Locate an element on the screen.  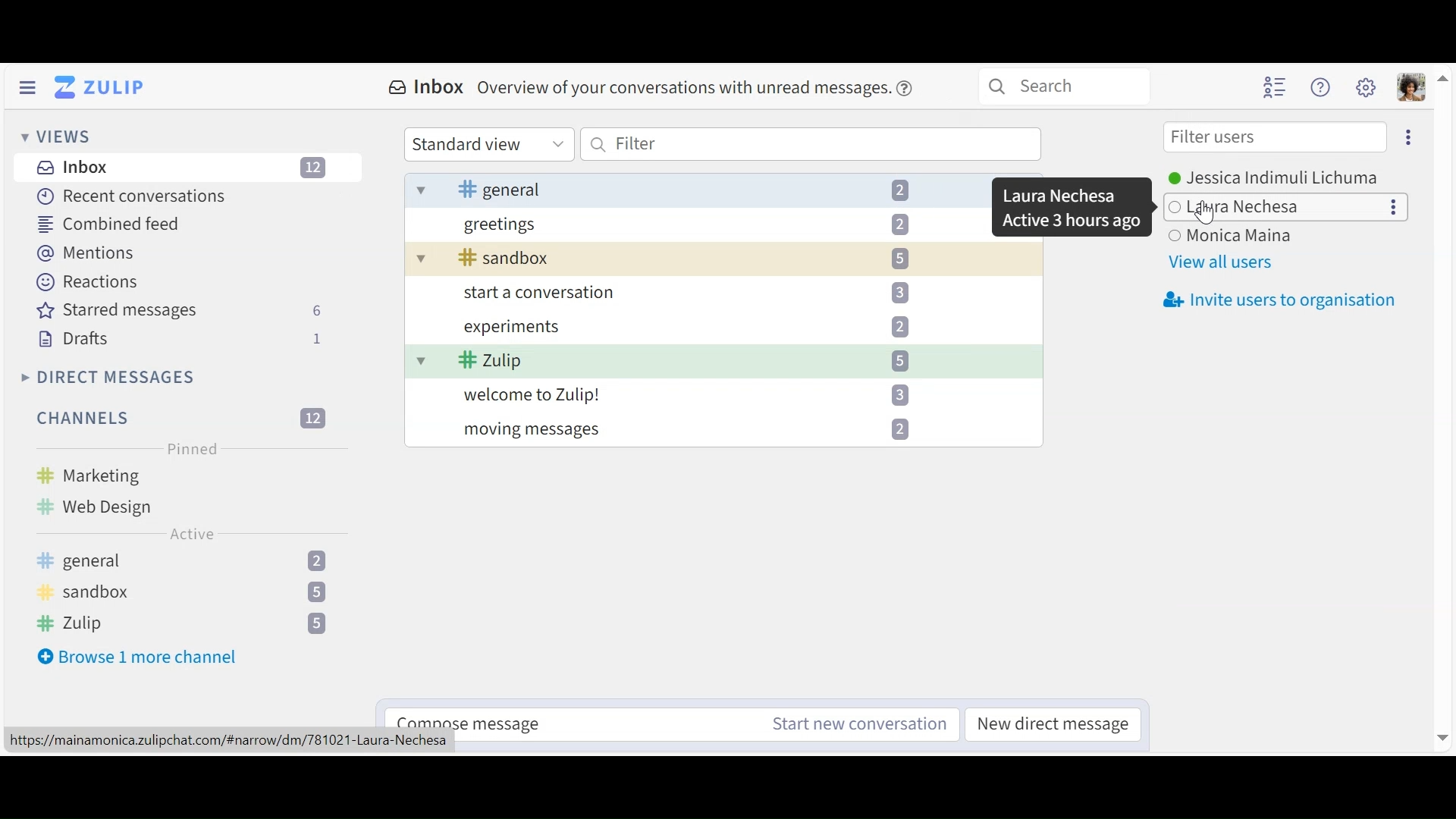
Main menu is located at coordinates (1367, 88).